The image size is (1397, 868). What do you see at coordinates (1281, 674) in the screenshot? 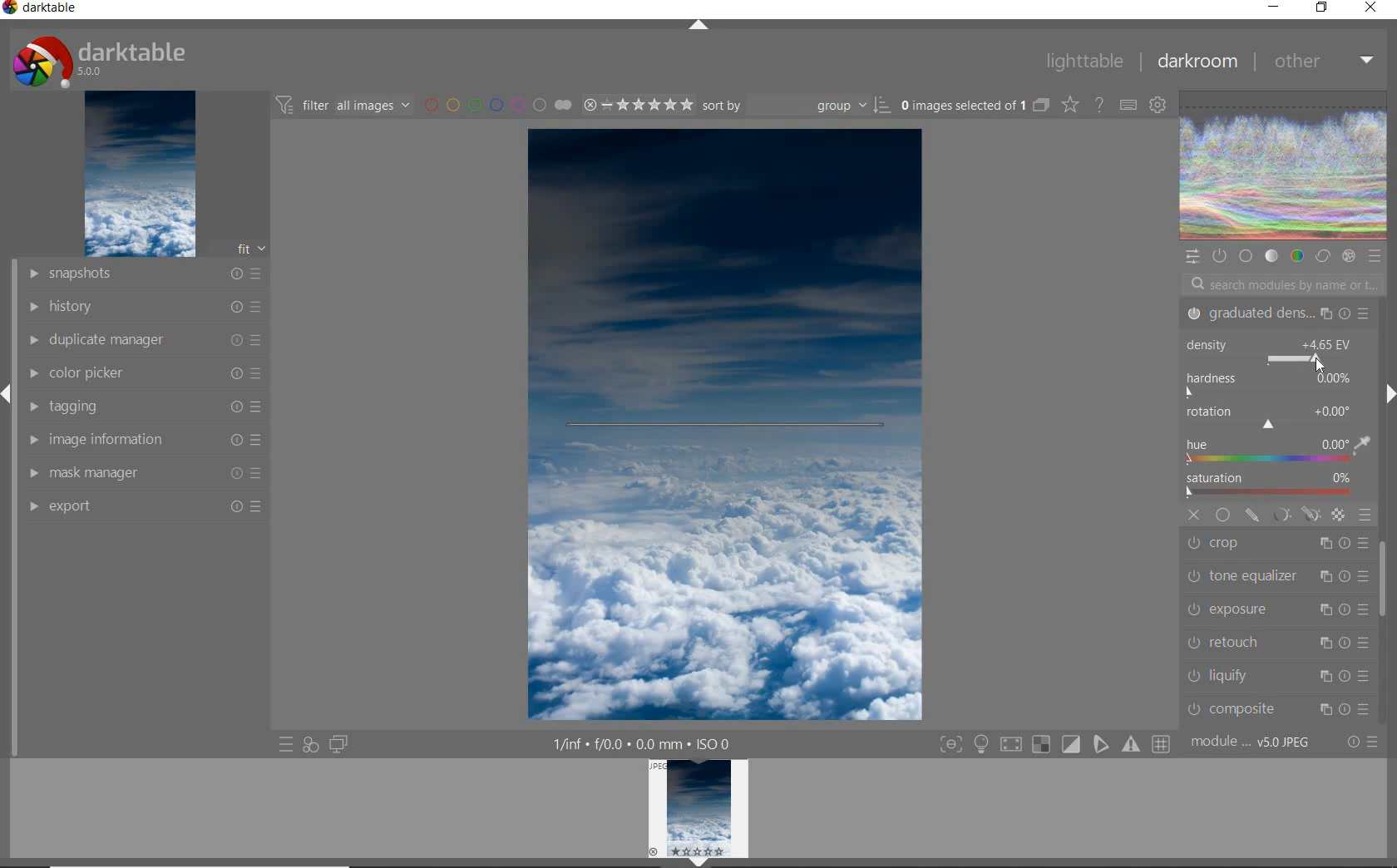
I see `liquify` at bounding box center [1281, 674].